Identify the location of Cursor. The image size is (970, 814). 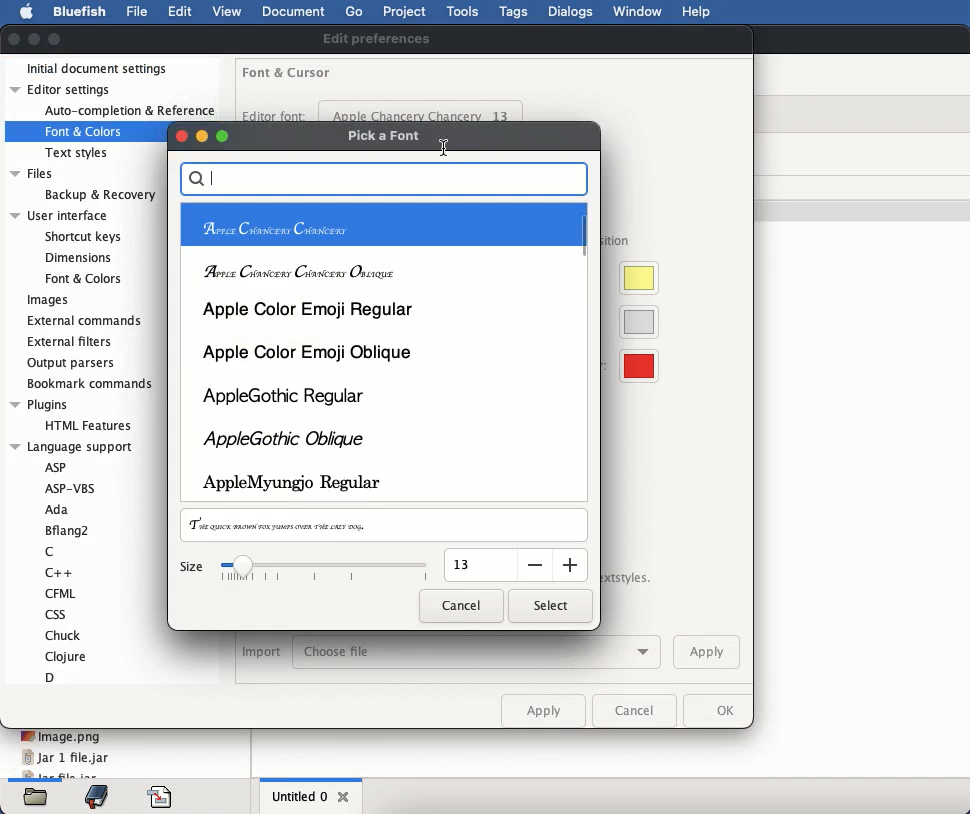
(451, 147).